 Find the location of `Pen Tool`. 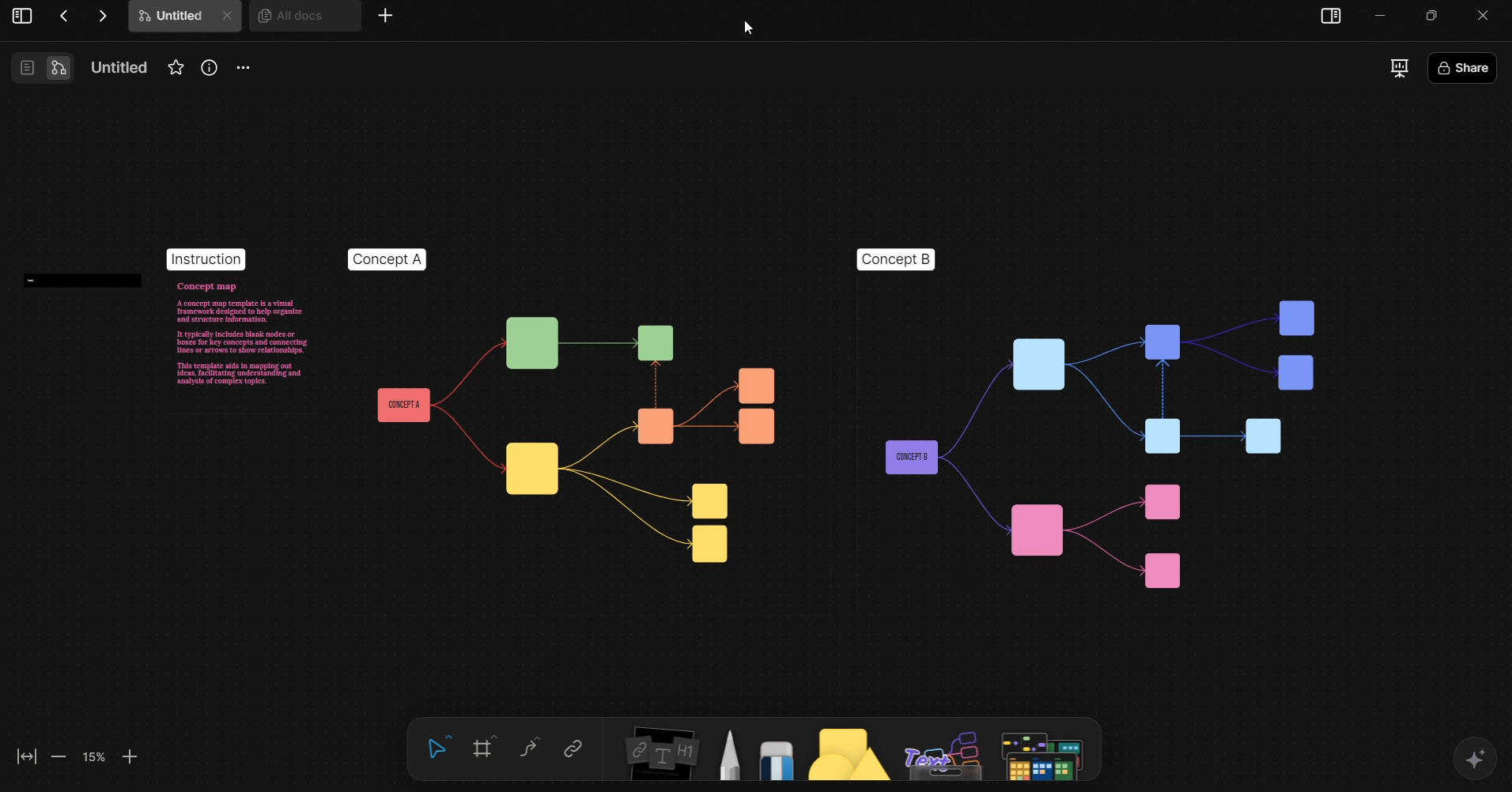

Pen Tool is located at coordinates (729, 753).